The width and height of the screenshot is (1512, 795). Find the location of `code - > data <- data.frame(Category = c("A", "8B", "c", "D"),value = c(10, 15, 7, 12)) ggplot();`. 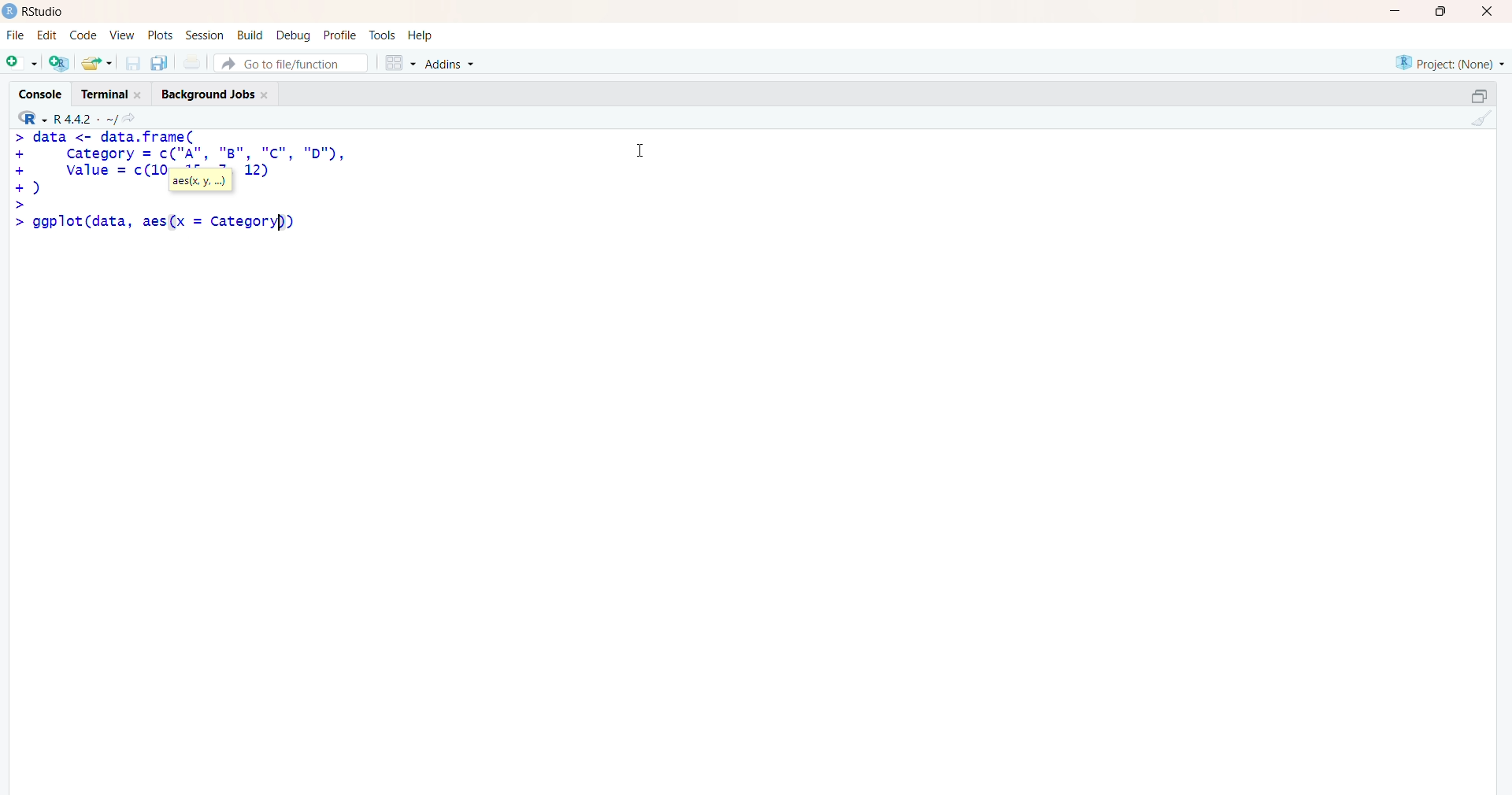

code - > data <- data.frame(Category = c("A", "8B", "c", "D"),value = c(10, 15, 7, 12)) ggplot(); is located at coordinates (194, 181).